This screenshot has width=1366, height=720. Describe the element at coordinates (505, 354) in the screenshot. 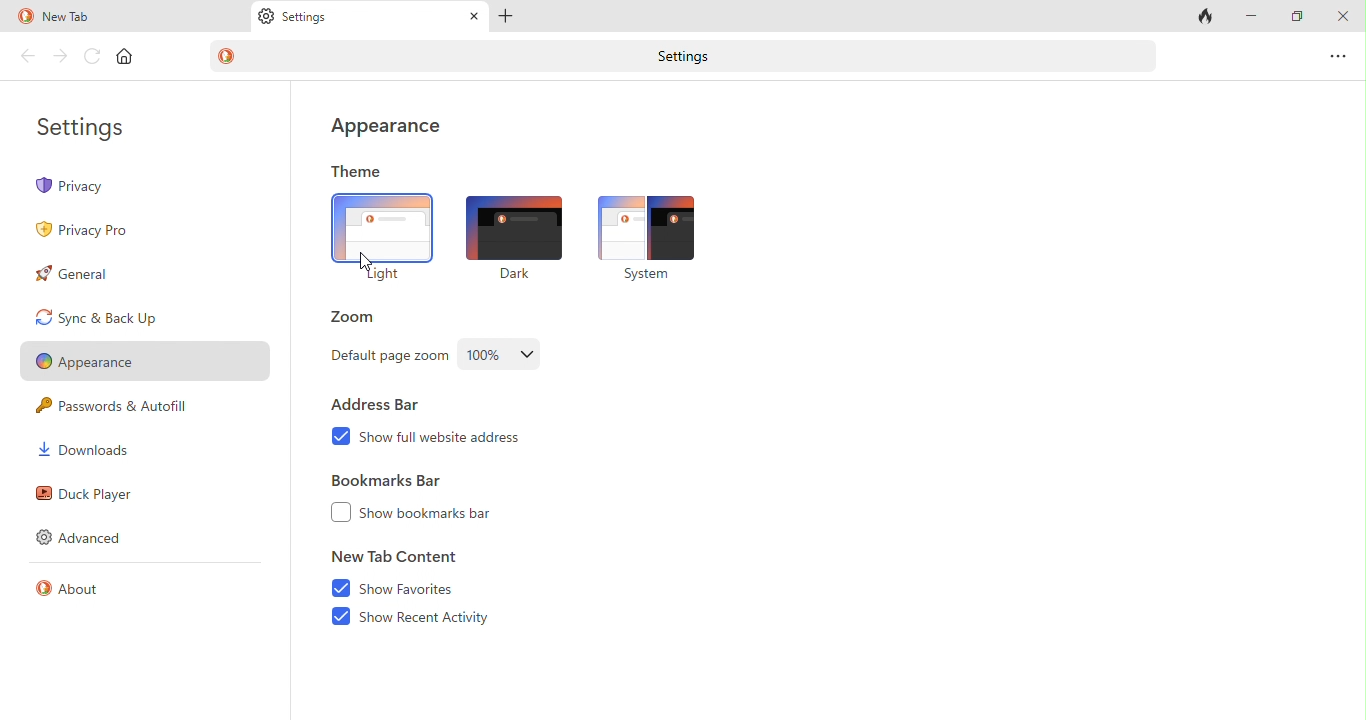

I see `default zoom-100%` at that location.